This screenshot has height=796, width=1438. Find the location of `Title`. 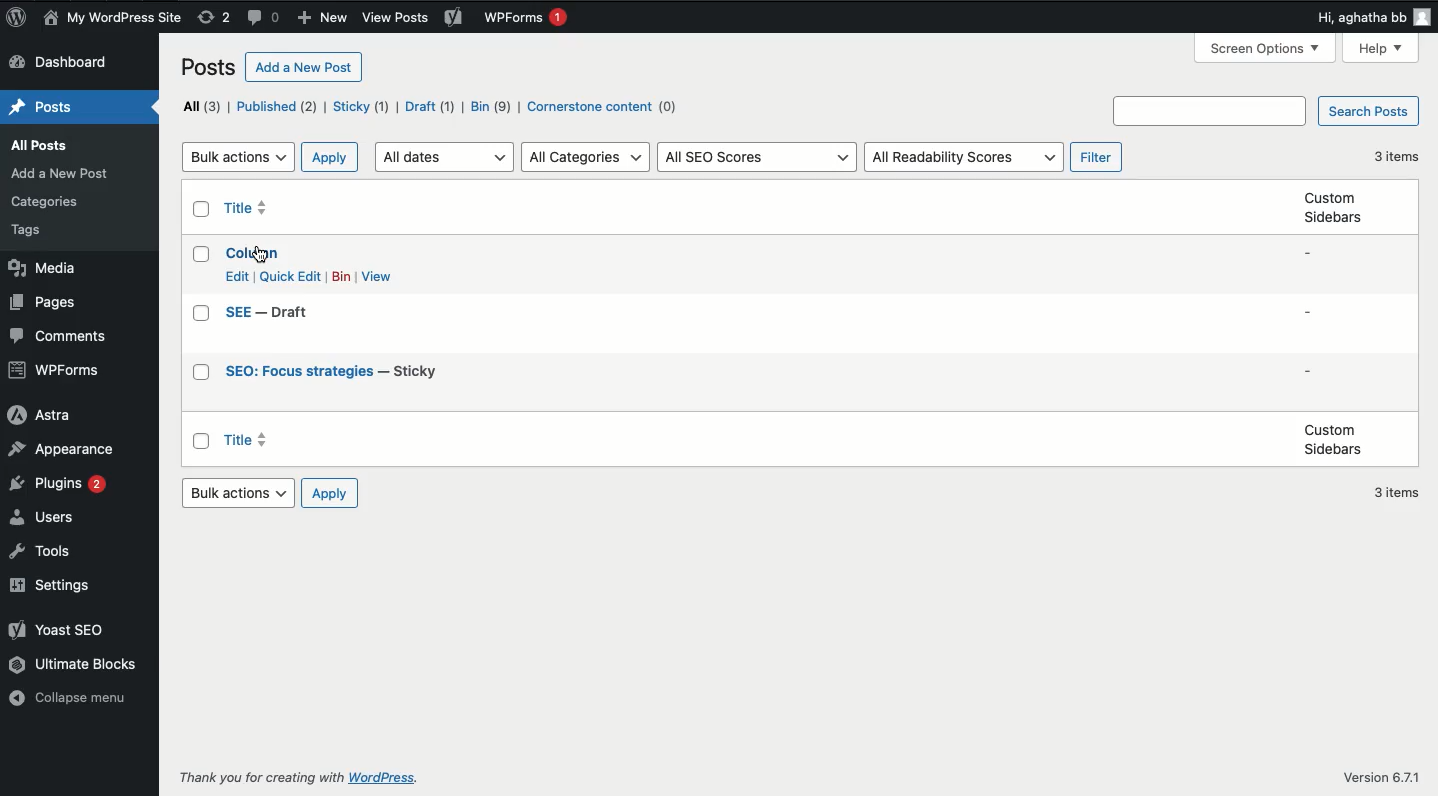

Title is located at coordinates (268, 312).